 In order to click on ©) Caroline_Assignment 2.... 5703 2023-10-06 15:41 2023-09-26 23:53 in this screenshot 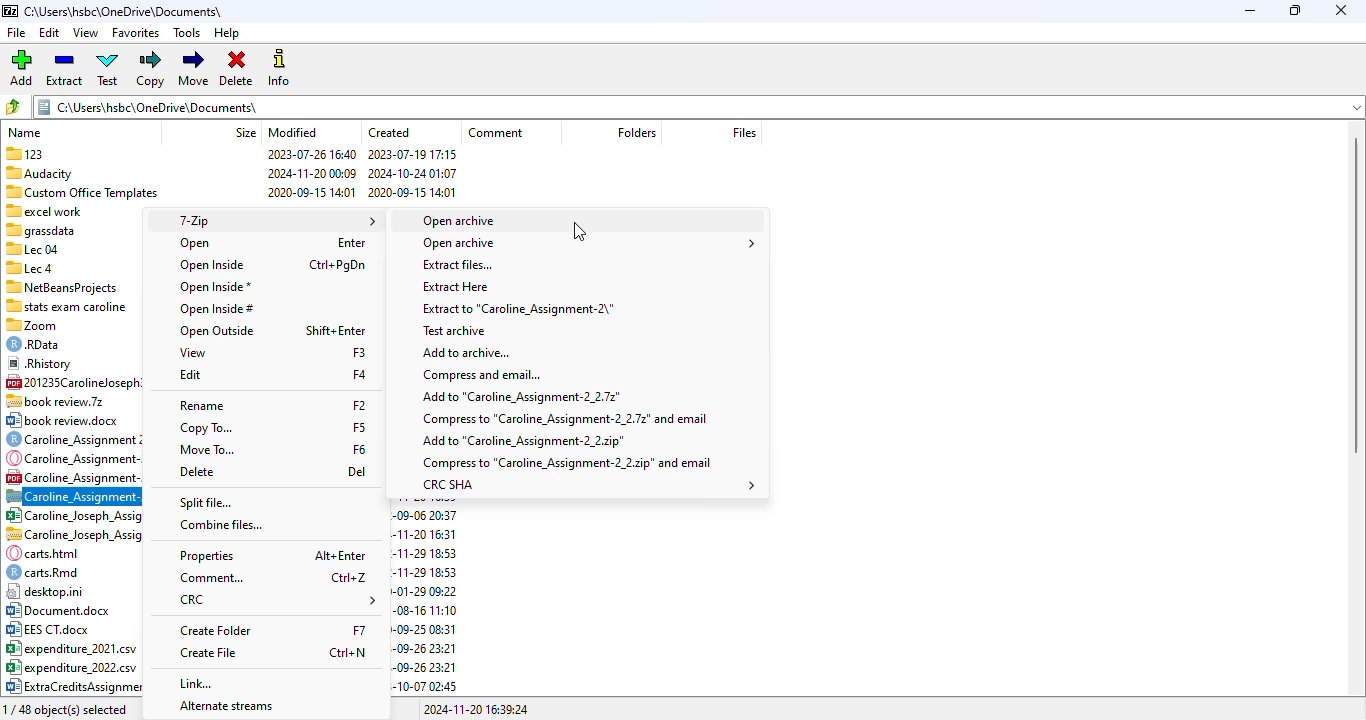, I will do `click(74, 438)`.